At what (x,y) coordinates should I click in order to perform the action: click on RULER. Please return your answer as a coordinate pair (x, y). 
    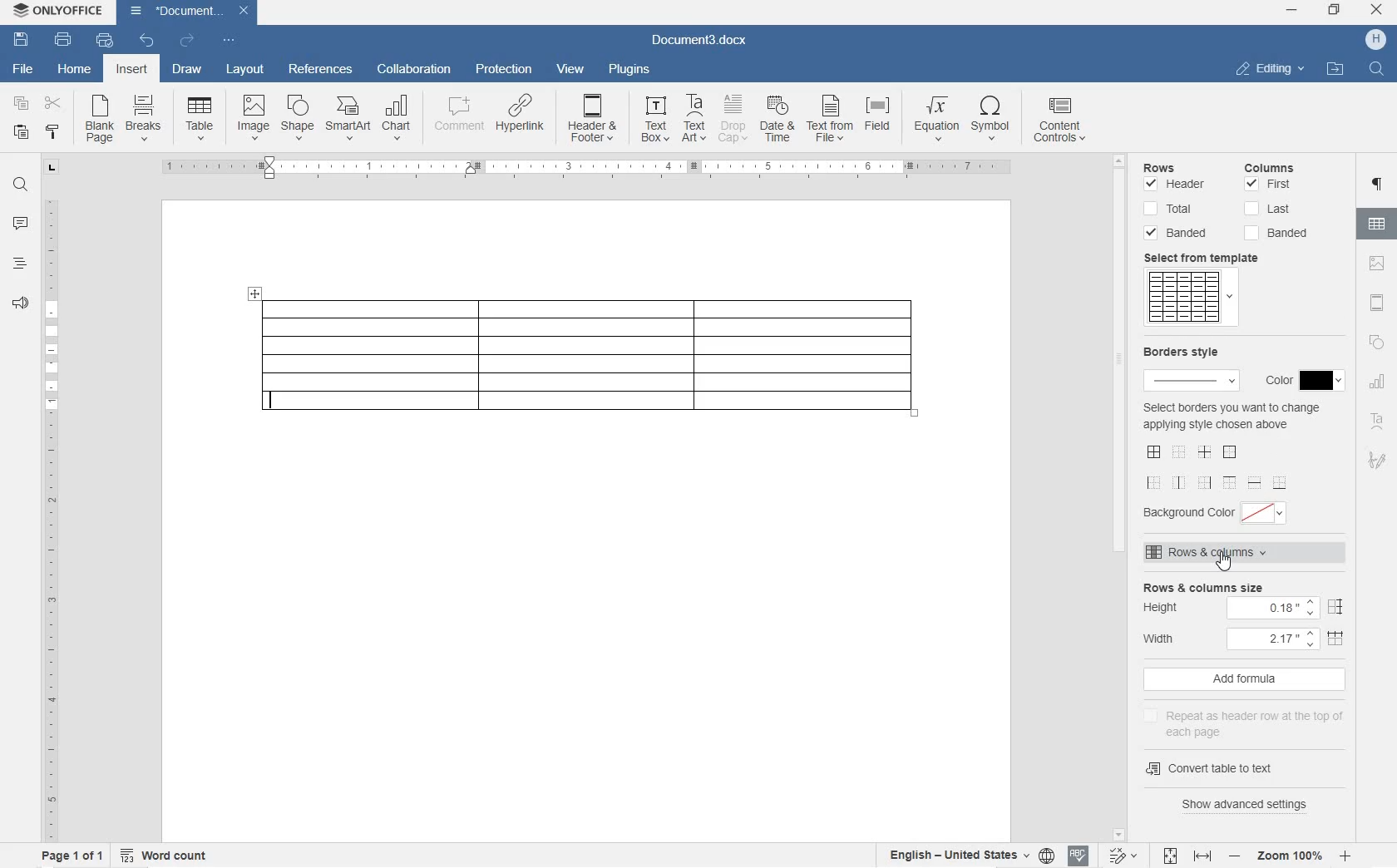
    Looking at the image, I should click on (49, 518).